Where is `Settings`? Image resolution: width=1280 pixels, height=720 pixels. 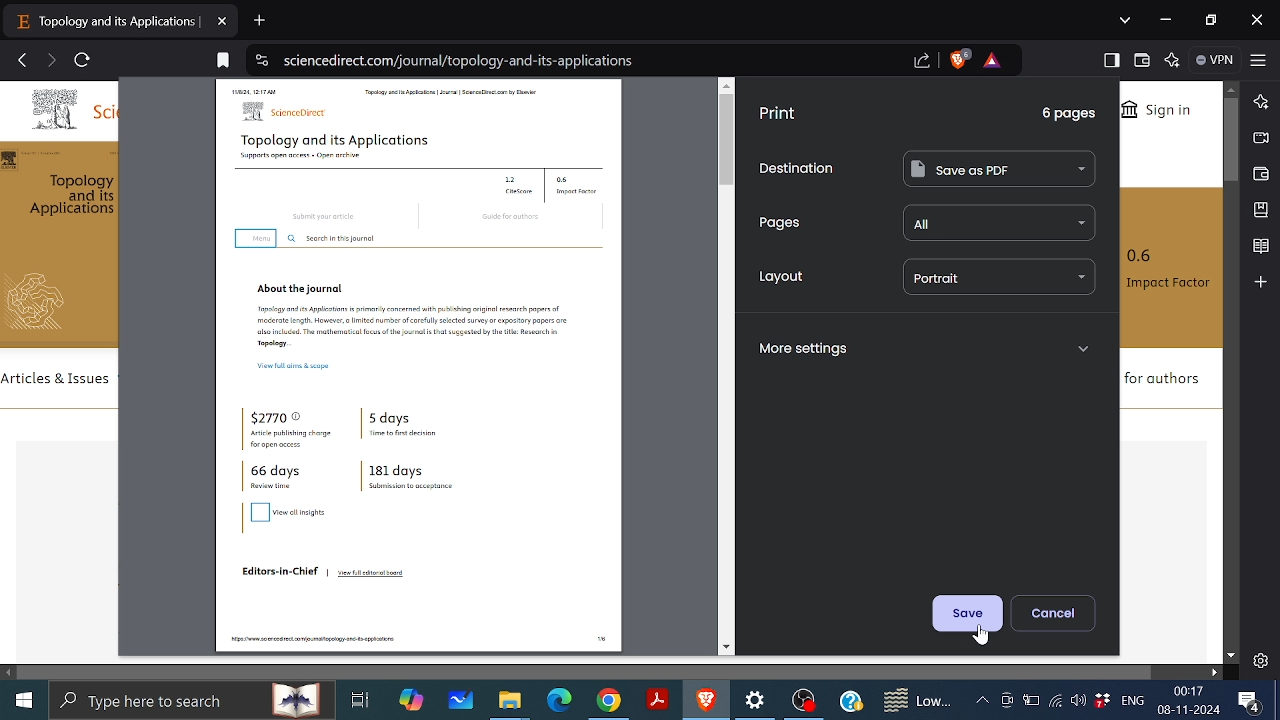 Settings is located at coordinates (758, 703).